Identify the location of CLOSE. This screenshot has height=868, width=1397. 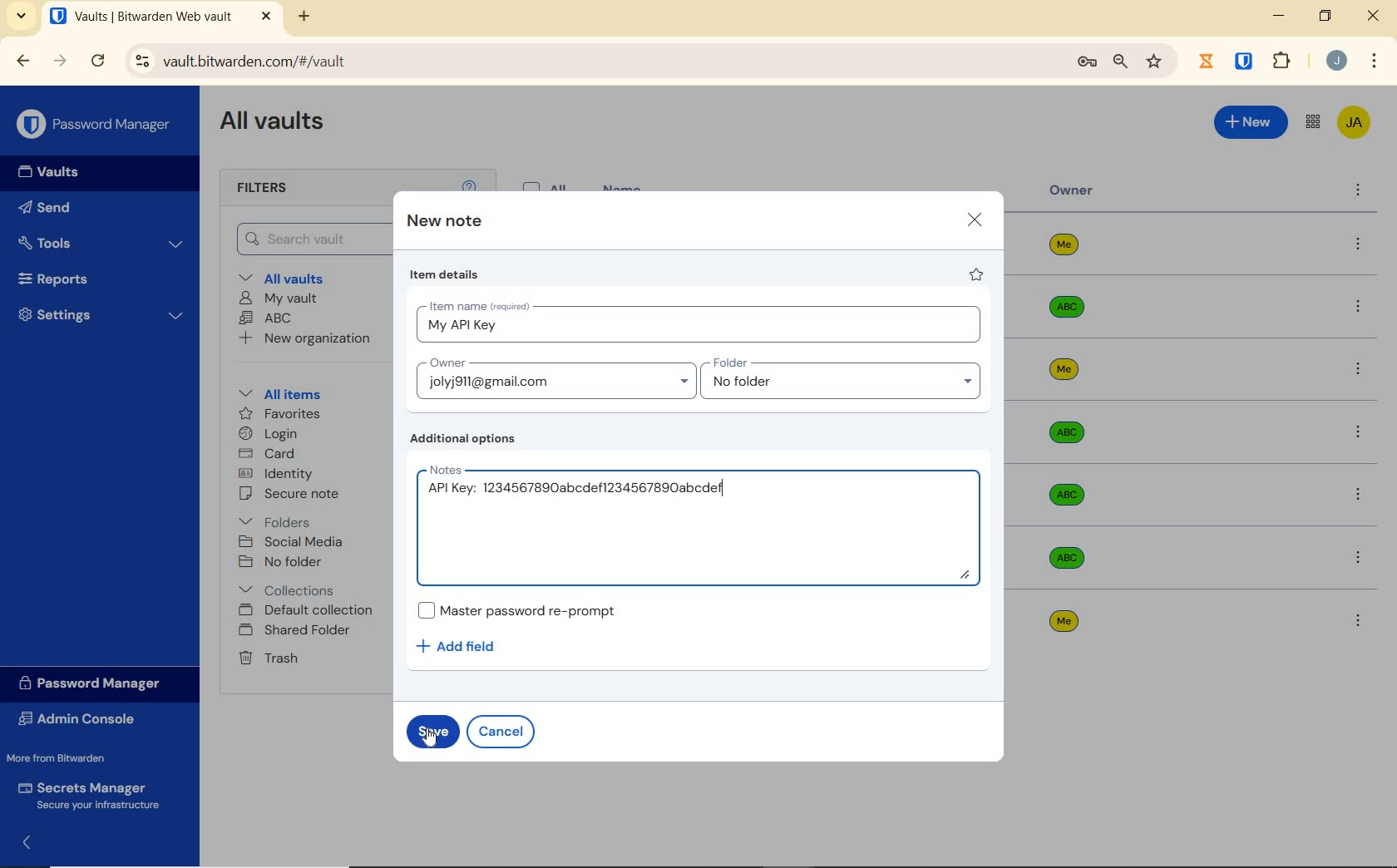
(1375, 20).